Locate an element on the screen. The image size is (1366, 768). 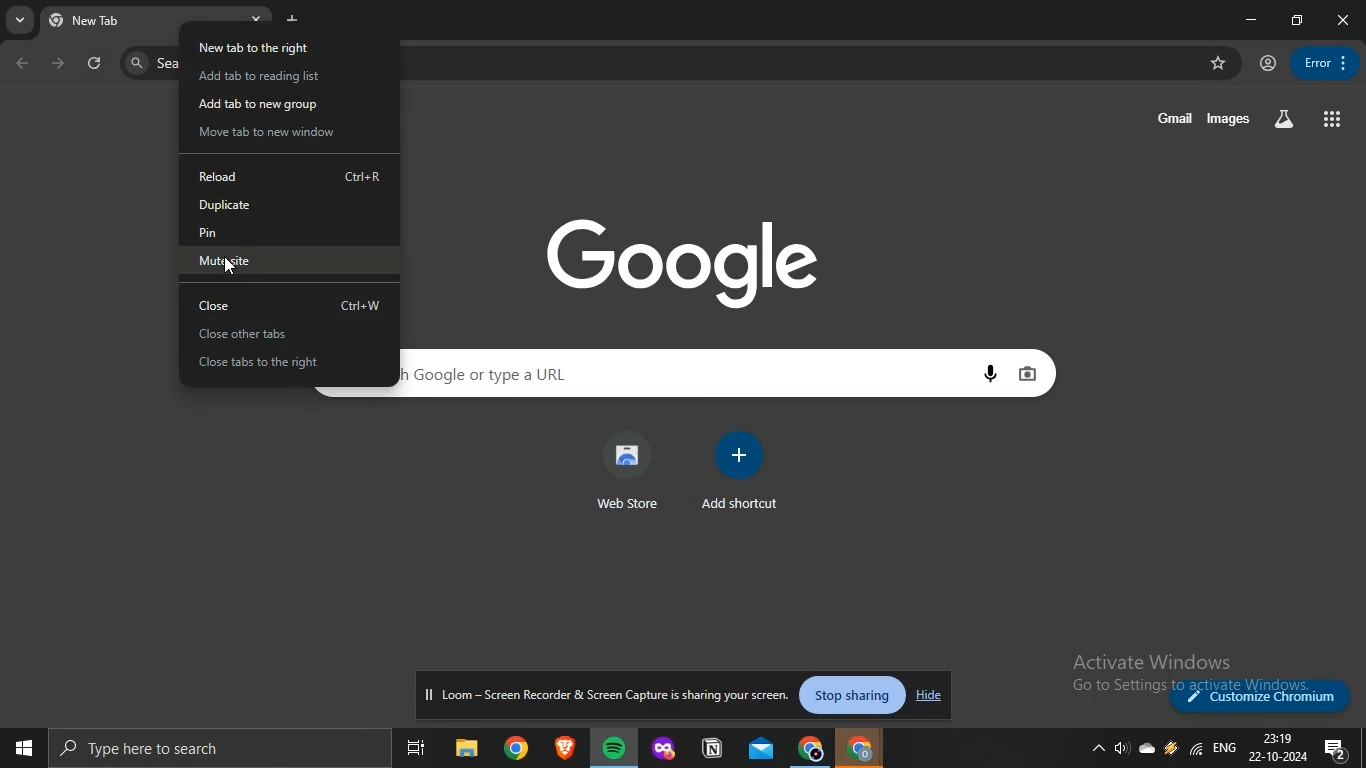
menu is located at coordinates (1322, 61).